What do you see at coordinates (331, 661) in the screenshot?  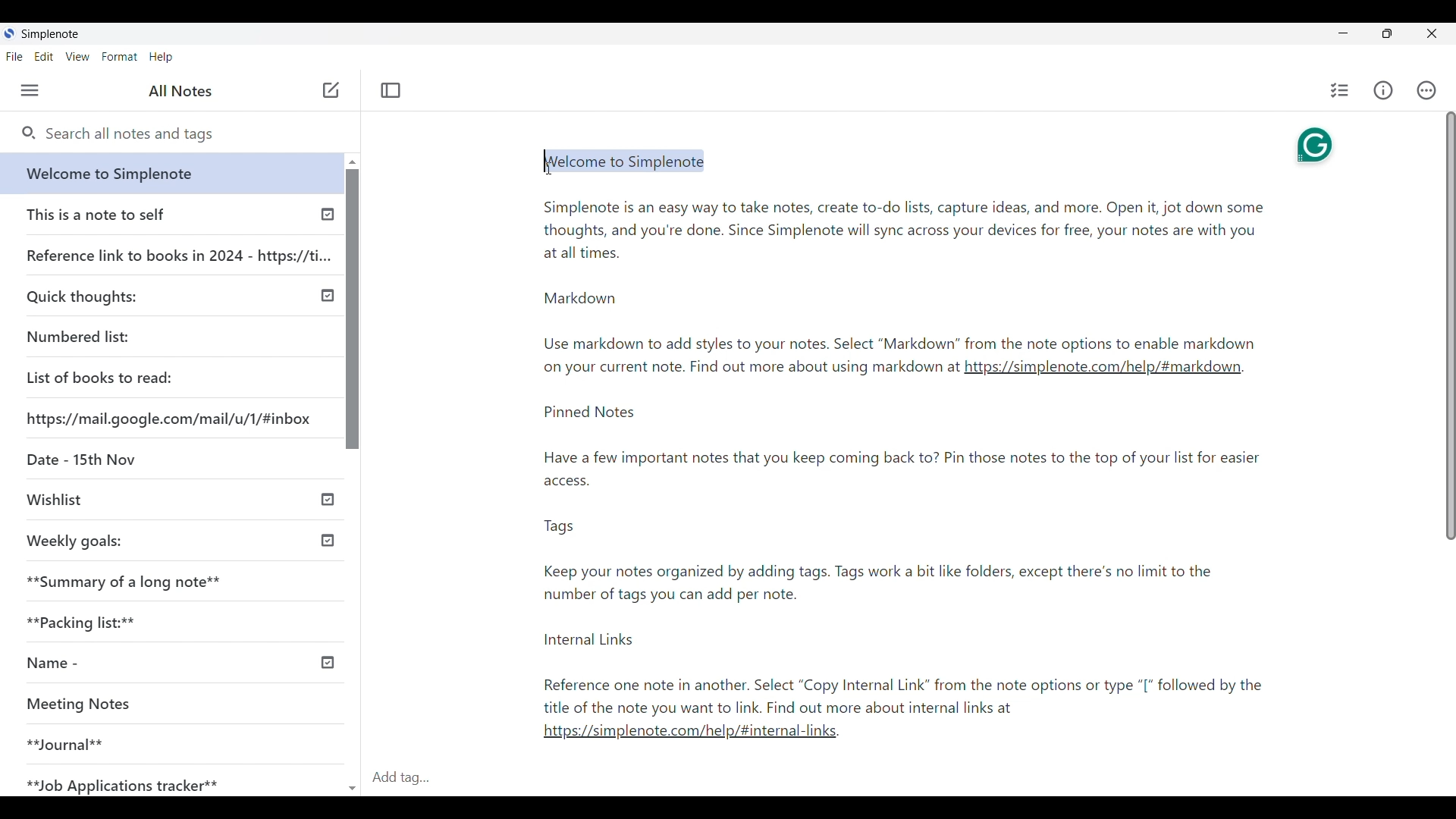 I see `Check icon indicates published notes` at bounding box center [331, 661].